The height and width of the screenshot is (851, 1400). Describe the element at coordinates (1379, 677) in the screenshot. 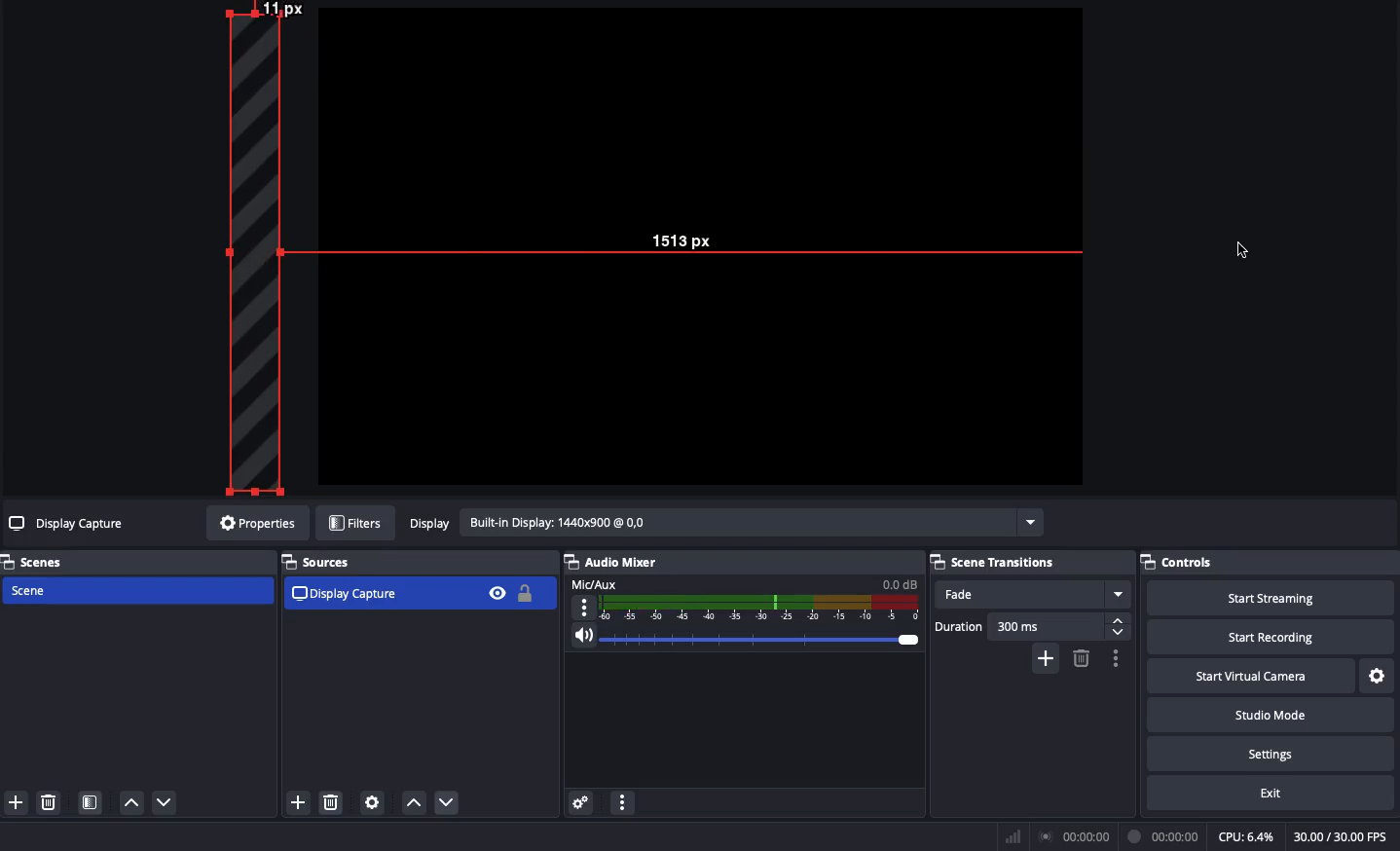

I see `Settings` at that location.